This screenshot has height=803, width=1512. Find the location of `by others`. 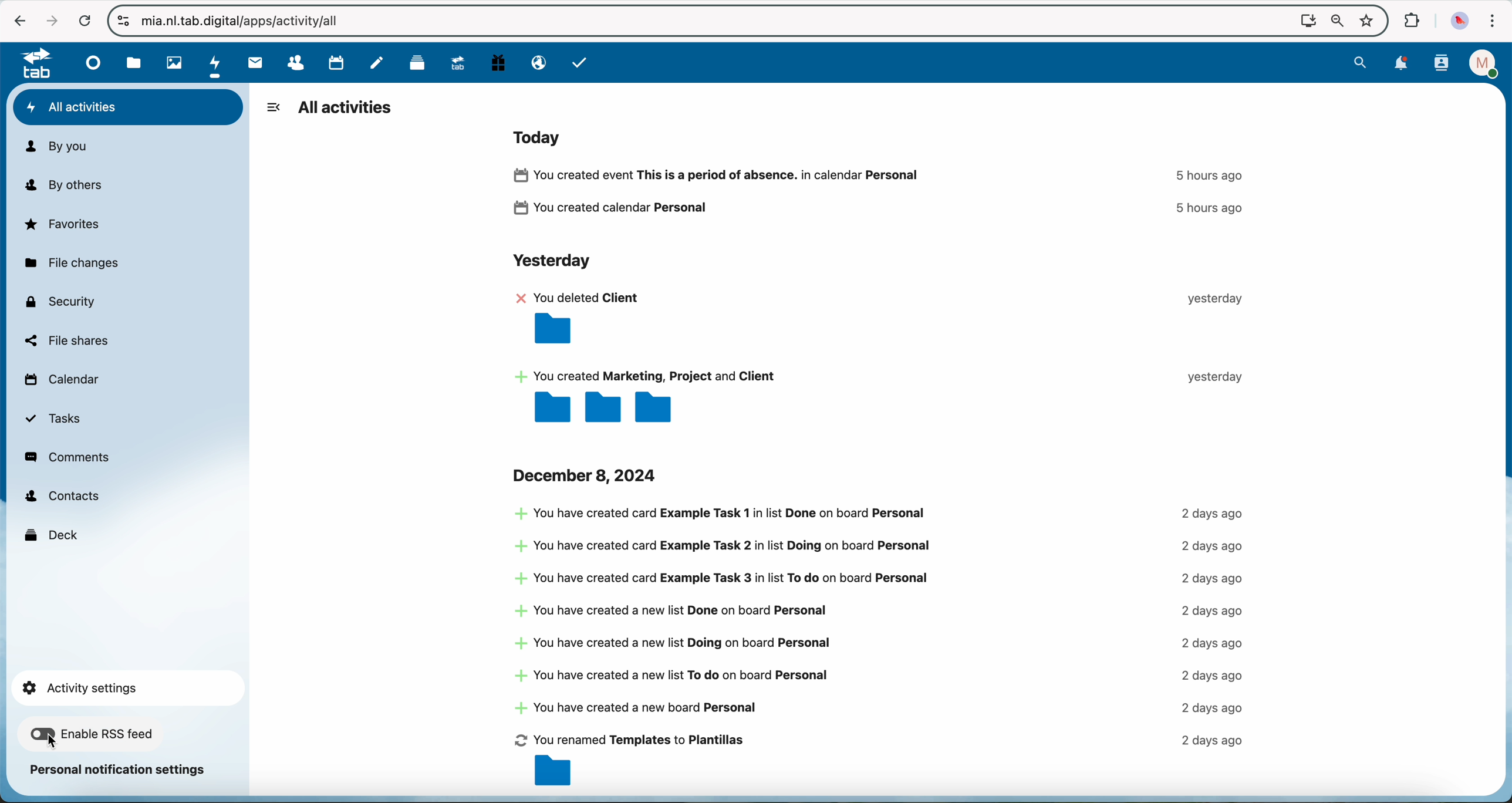

by others is located at coordinates (70, 185).